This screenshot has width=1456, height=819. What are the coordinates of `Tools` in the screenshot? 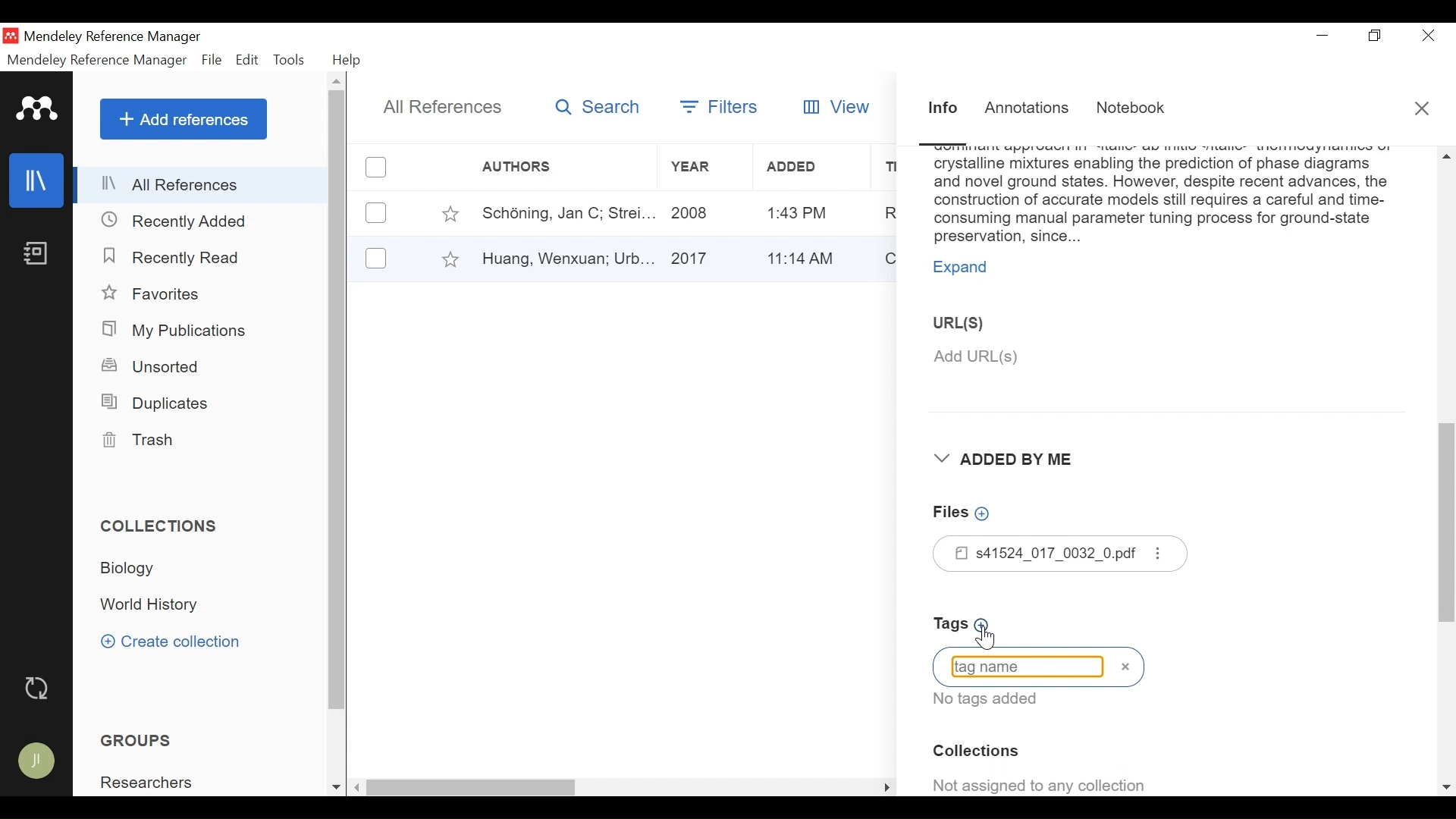 It's located at (289, 60).